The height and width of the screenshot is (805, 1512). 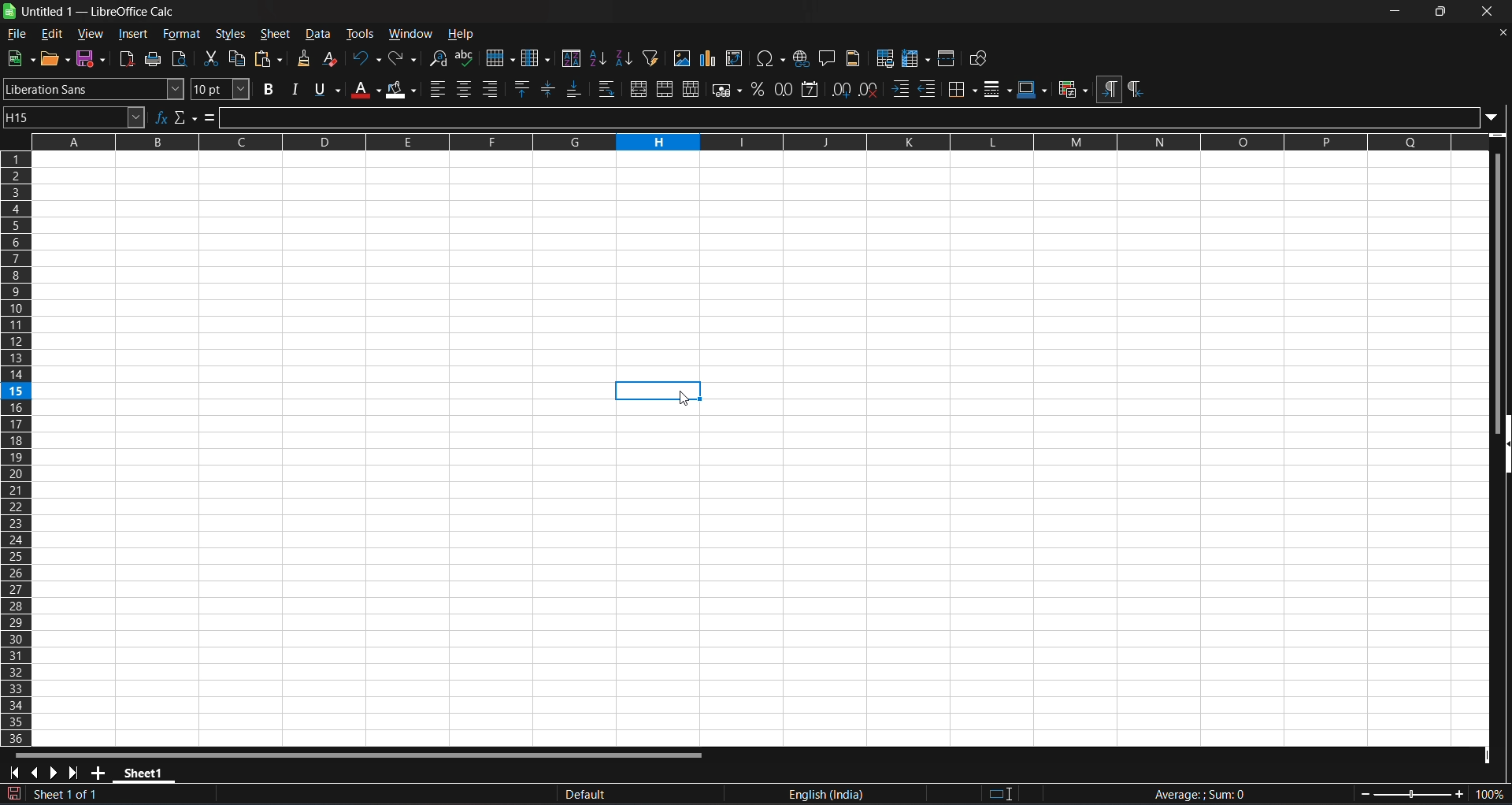 What do you see at coordinates (748, 149) in the screenshot?
I see `rows` at bounding box center [748, 149].